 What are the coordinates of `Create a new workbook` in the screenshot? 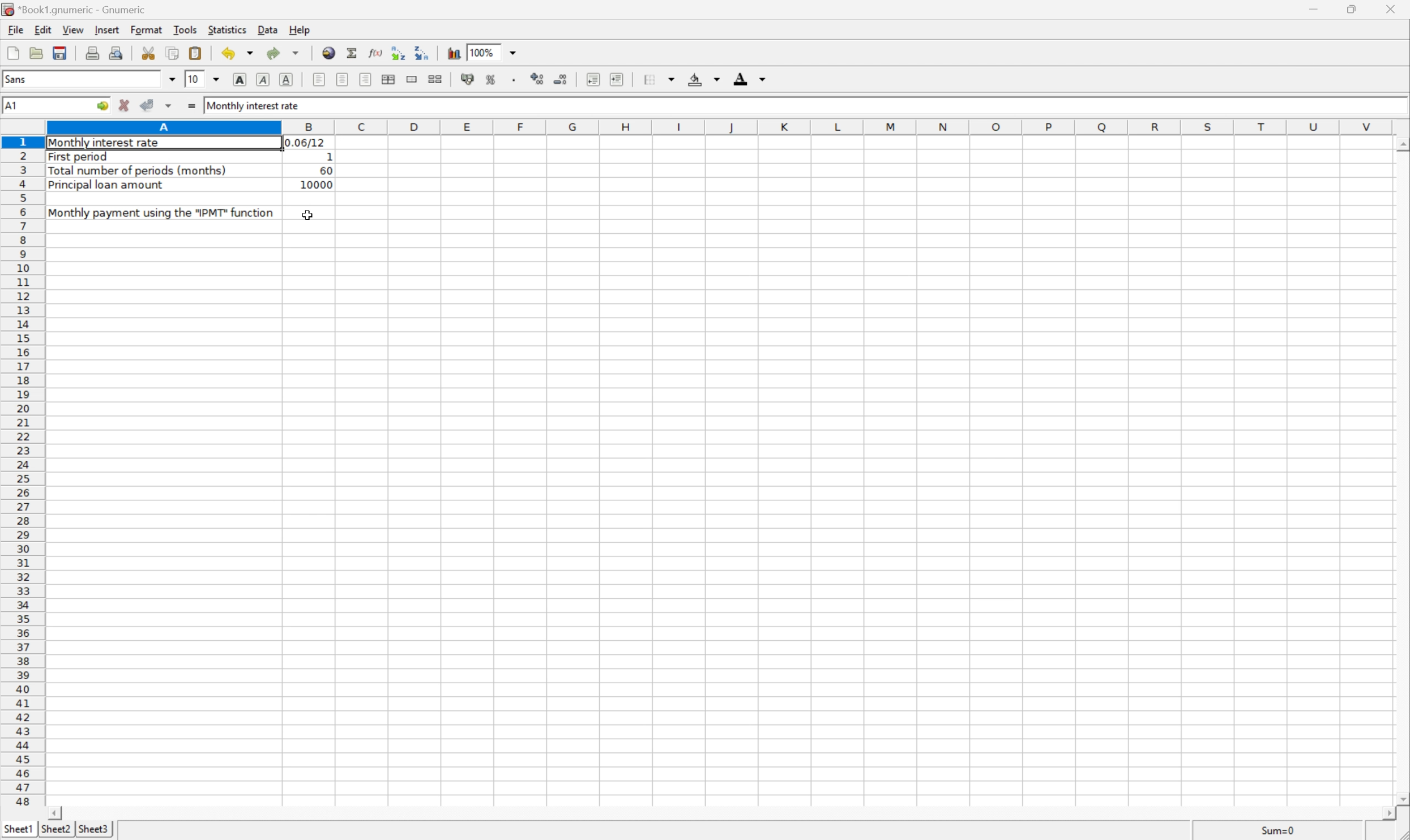 It's located at (11, 53).